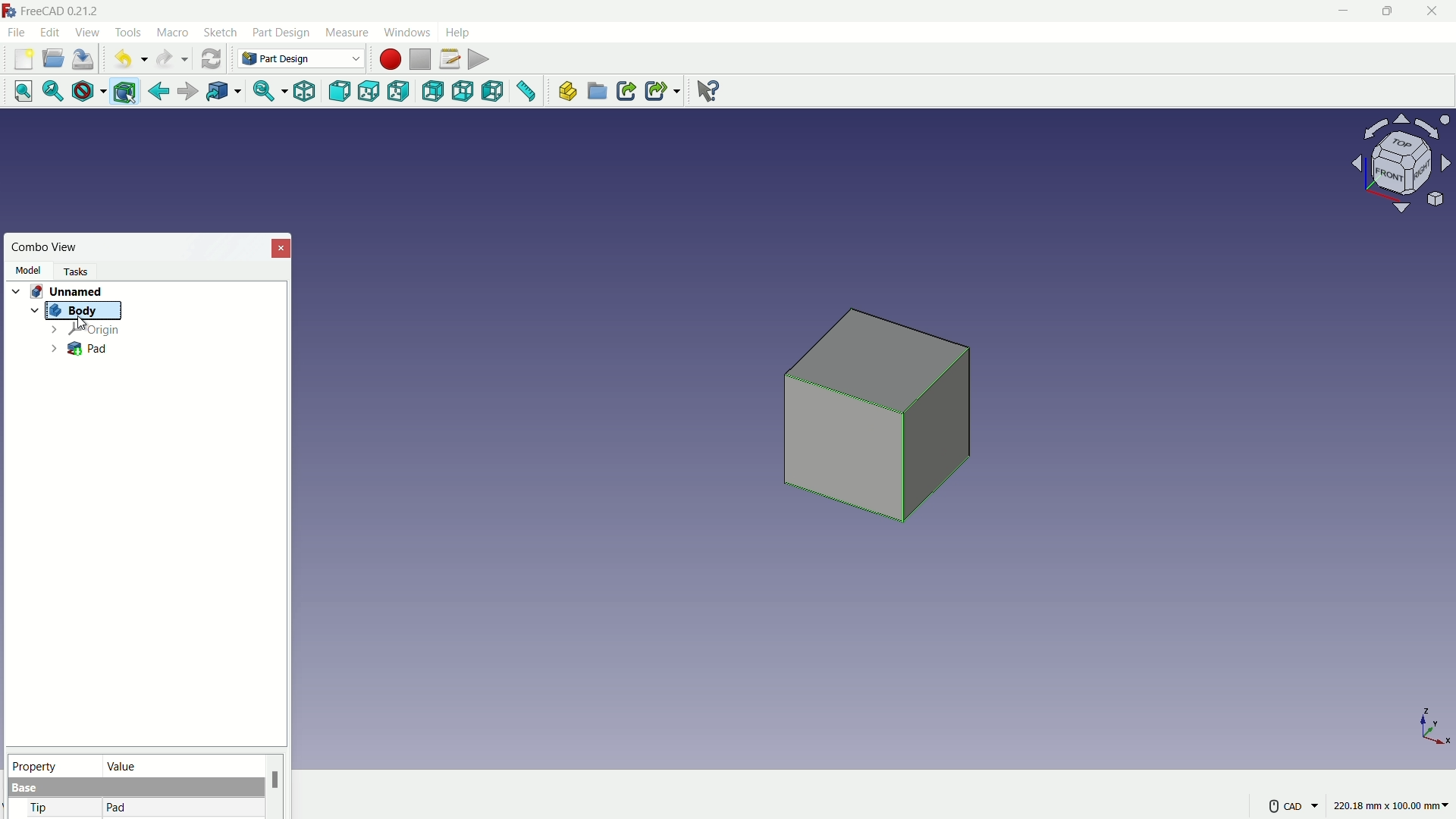 The height and width of the screenshot is (819, 1456). Describe the element at coordinates (465, 92) in the screenshot. I see `bottom view` at that location.